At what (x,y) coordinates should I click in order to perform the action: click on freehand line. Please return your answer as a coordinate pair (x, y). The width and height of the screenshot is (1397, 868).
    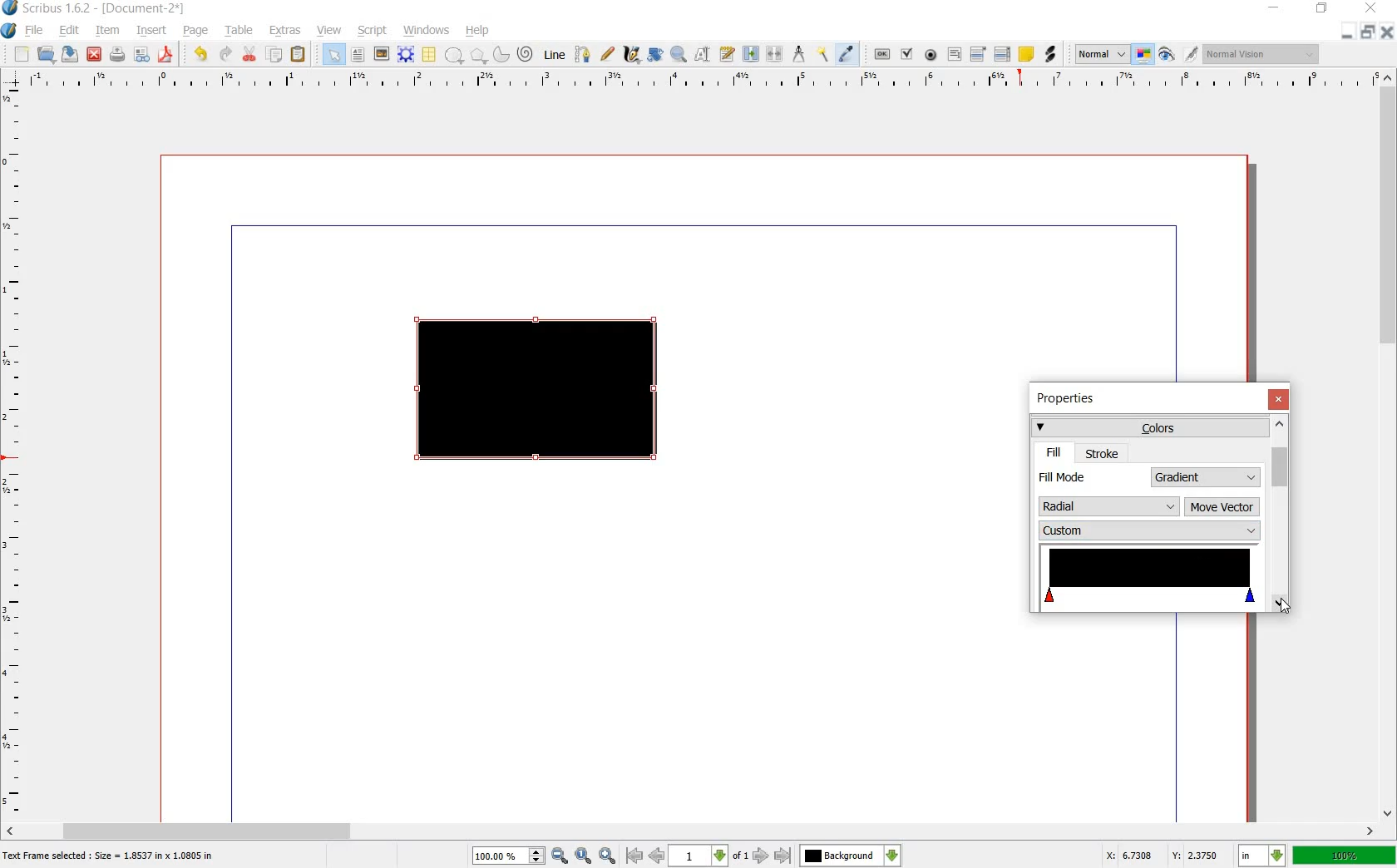
    Looking at the image, I should click on (607, 53).